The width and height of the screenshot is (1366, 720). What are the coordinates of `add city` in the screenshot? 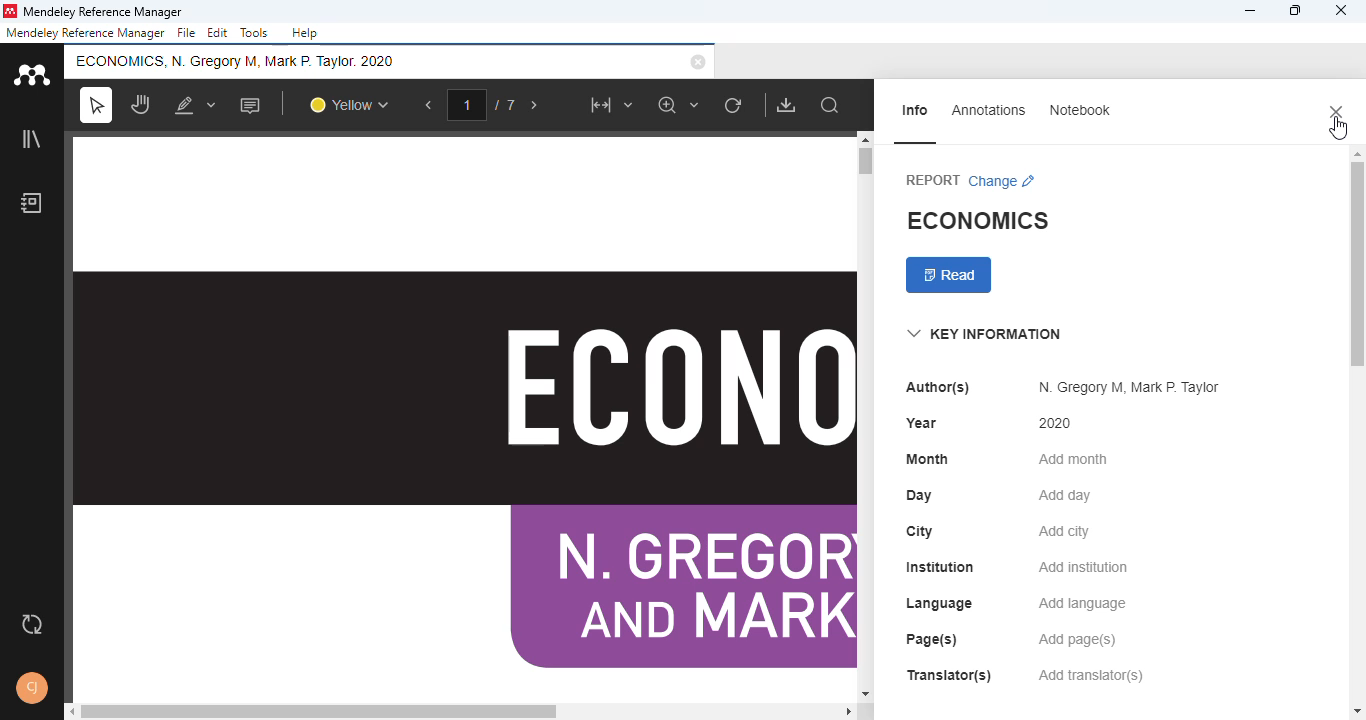 It's located at (1065, 531).